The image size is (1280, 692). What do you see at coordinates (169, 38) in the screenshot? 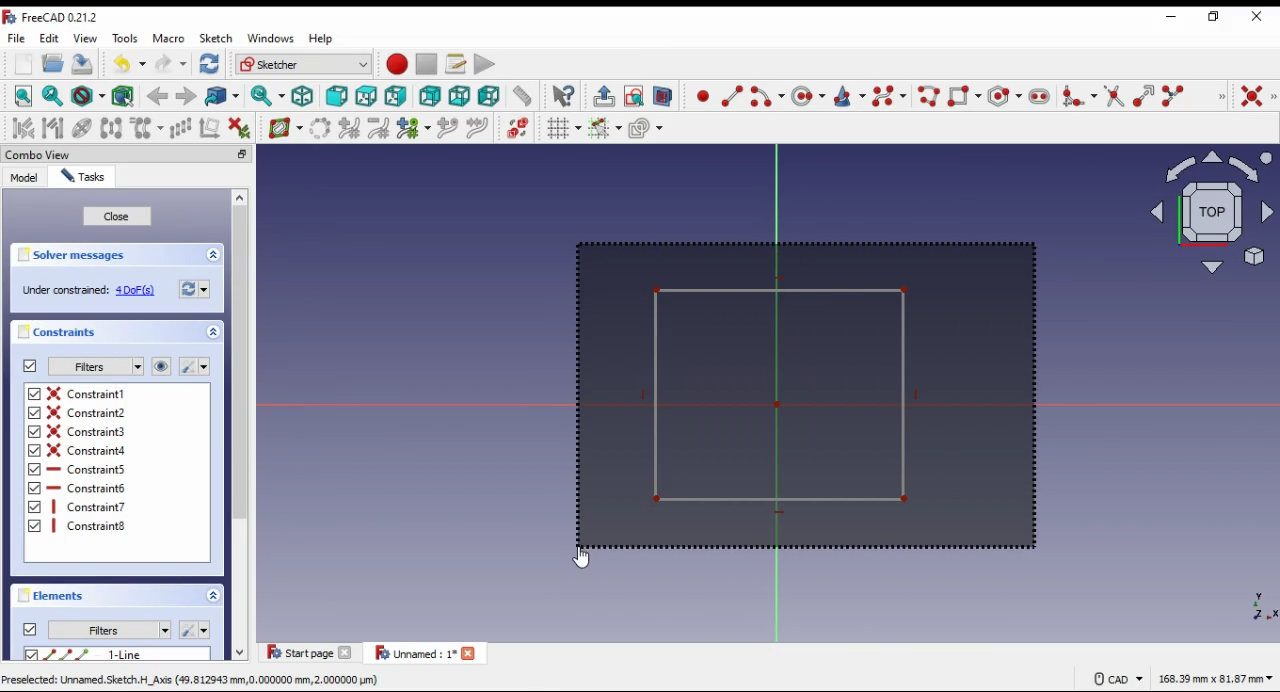
I see `macro` at bounding box center [169, 38].